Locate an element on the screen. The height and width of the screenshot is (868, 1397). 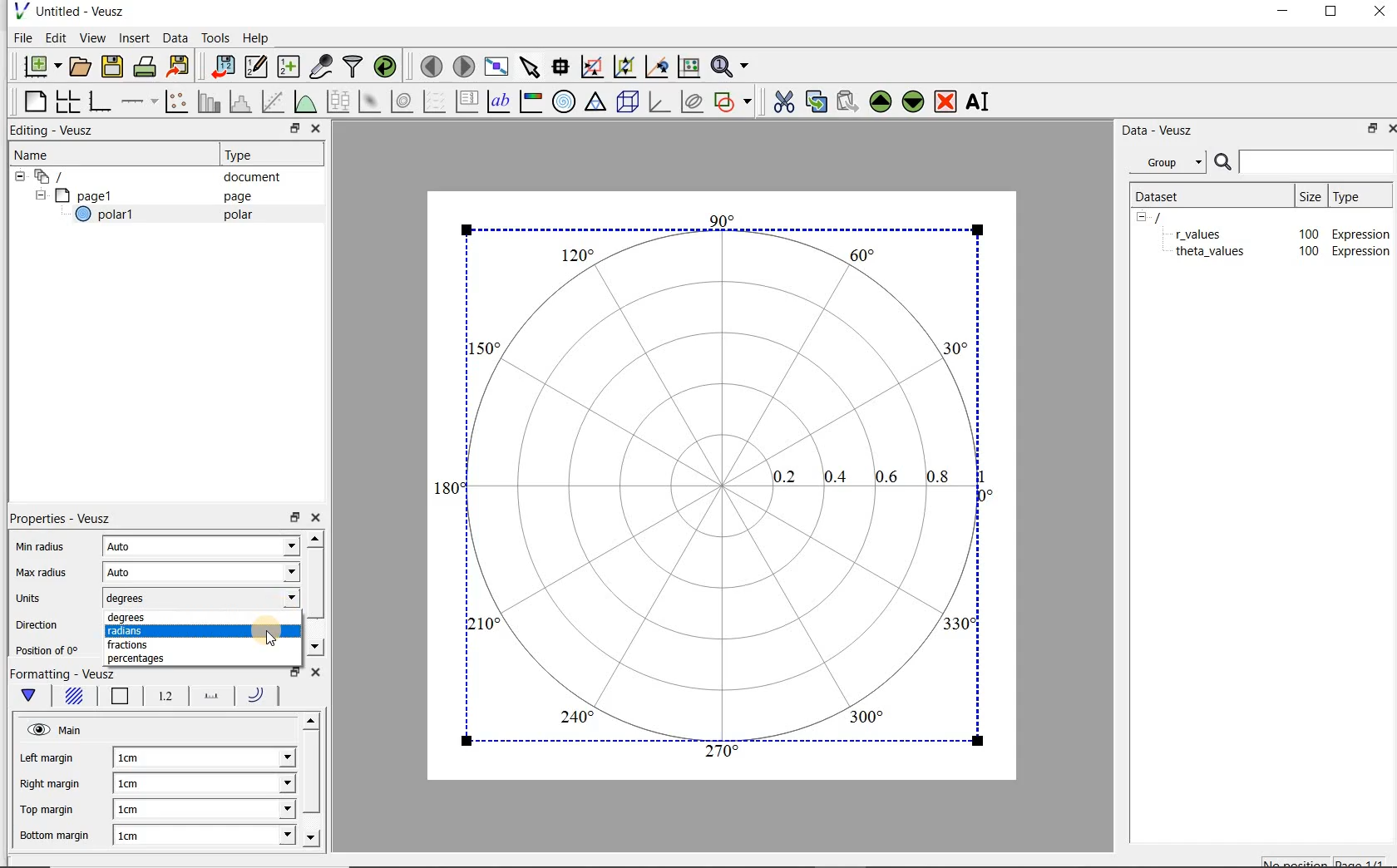
Close is located at coordinates (1389, 127).